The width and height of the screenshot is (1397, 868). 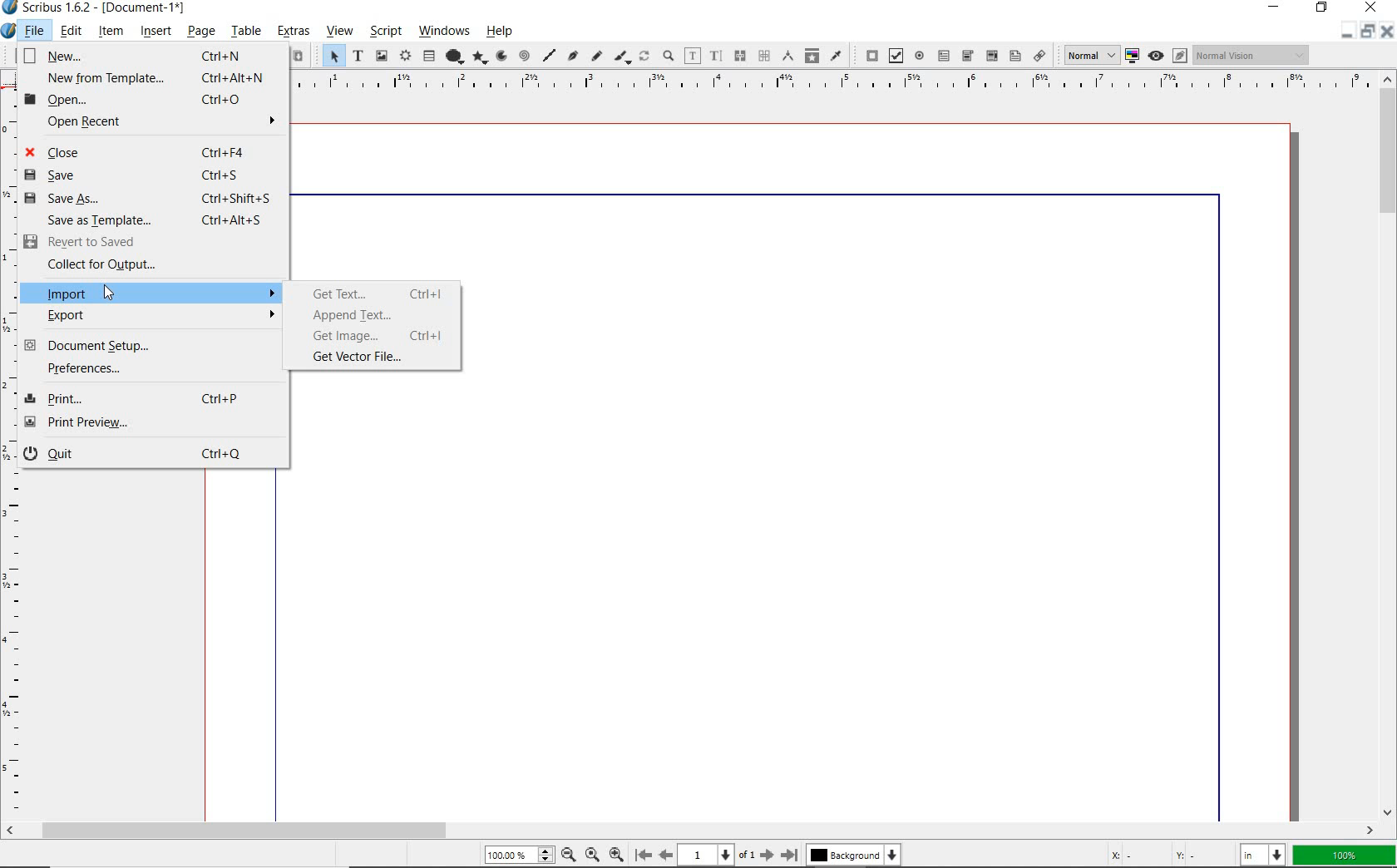 I want to click on Export, so click(x=153, y=317).